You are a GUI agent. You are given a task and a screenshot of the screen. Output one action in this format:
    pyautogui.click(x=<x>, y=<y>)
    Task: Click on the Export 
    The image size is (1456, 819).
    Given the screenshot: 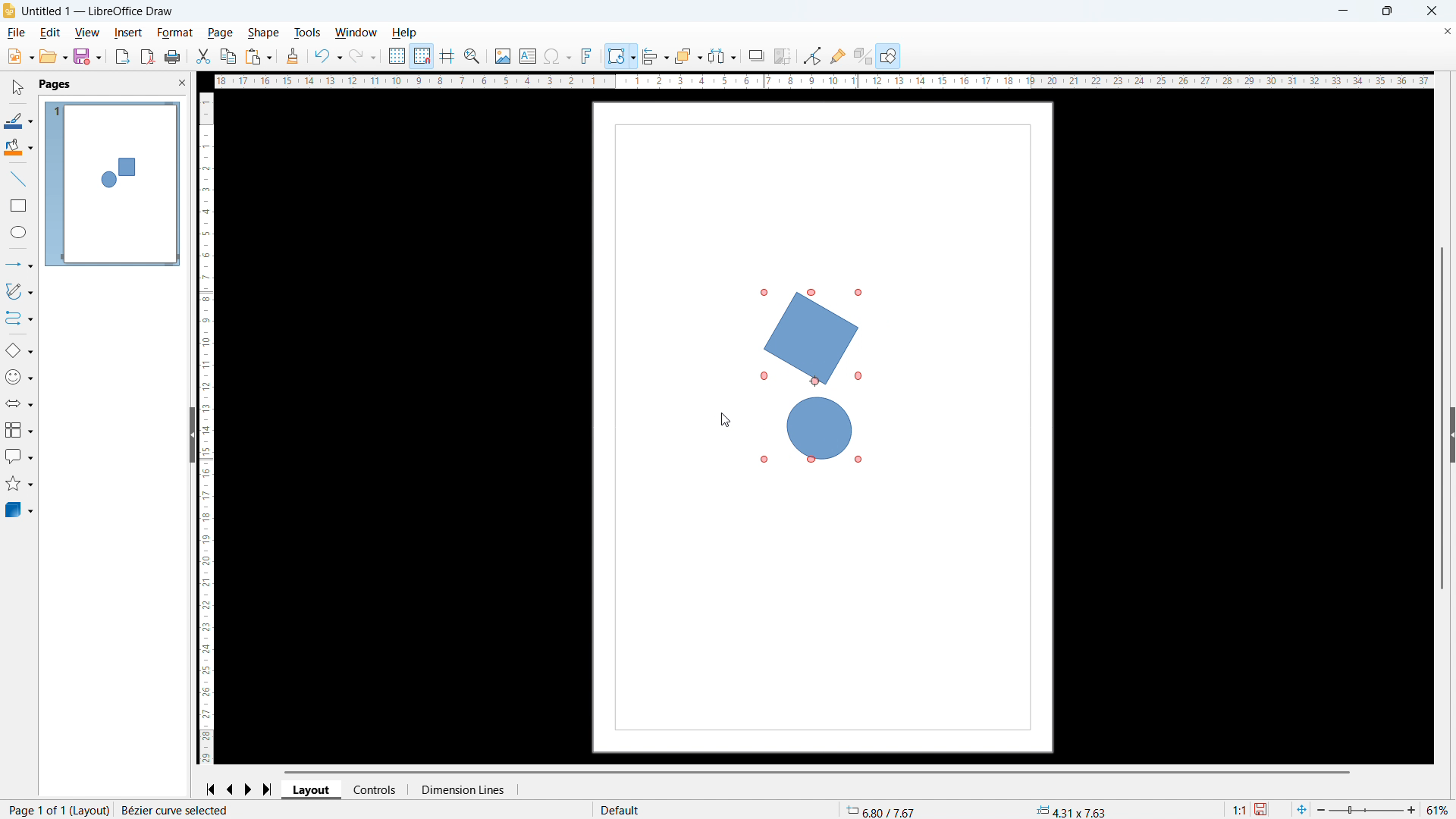 What is the action you would take?
    pyautogui.click(x=121, y=58)
    